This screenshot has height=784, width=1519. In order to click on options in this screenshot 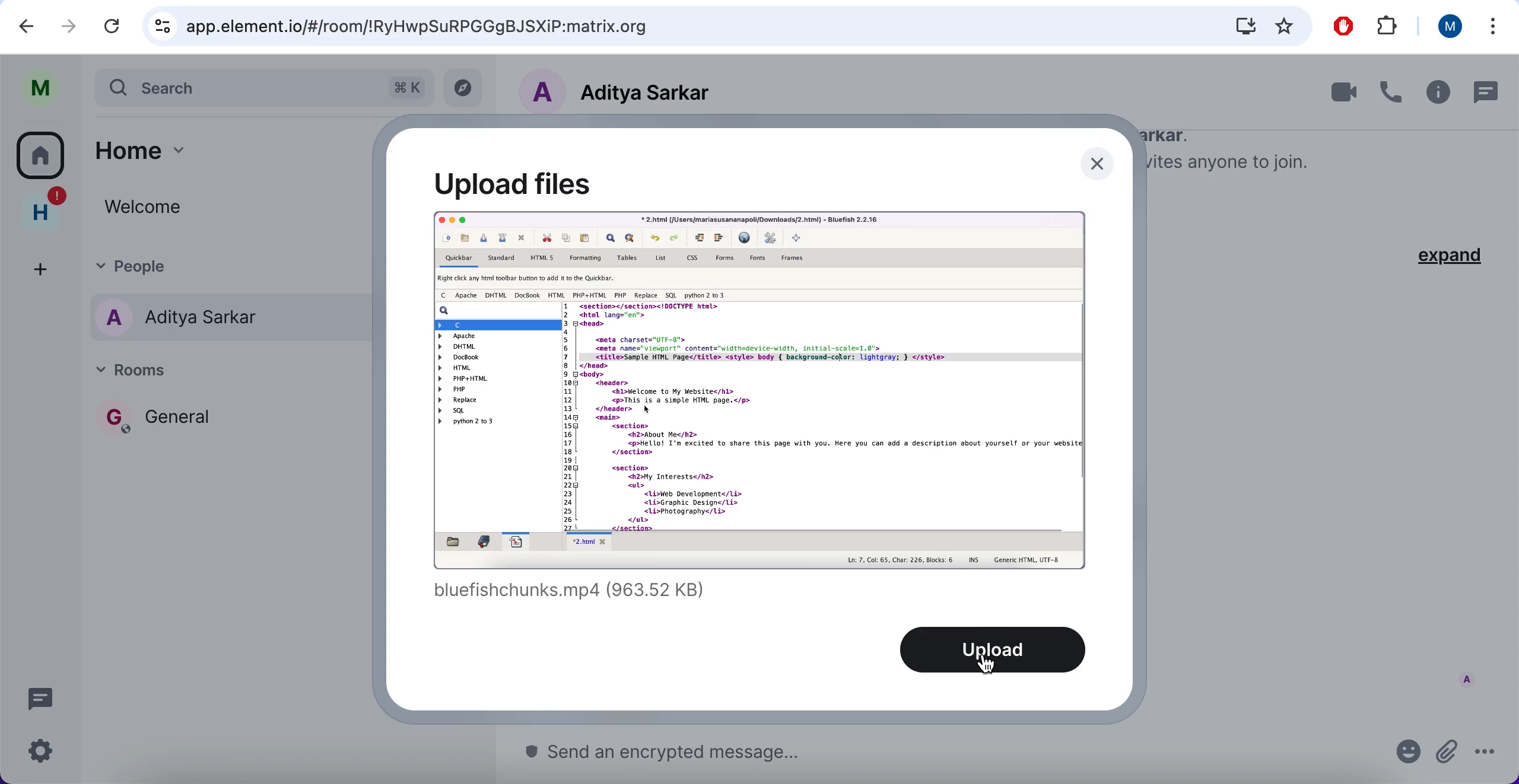, I will do `click(1492, 27)`.